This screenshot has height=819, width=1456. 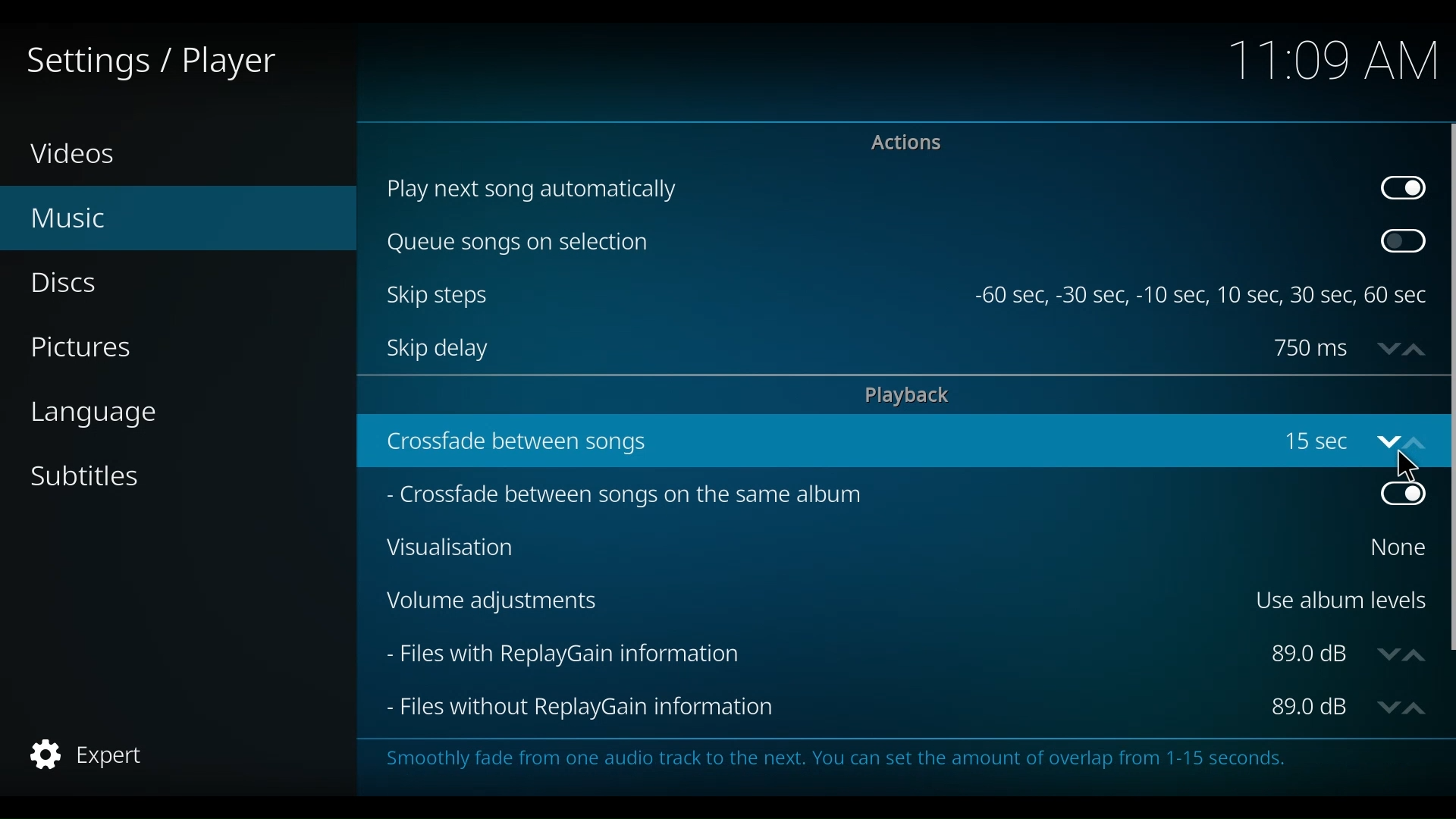 I want to click on Use album levels, so click(x=1339, y=598).